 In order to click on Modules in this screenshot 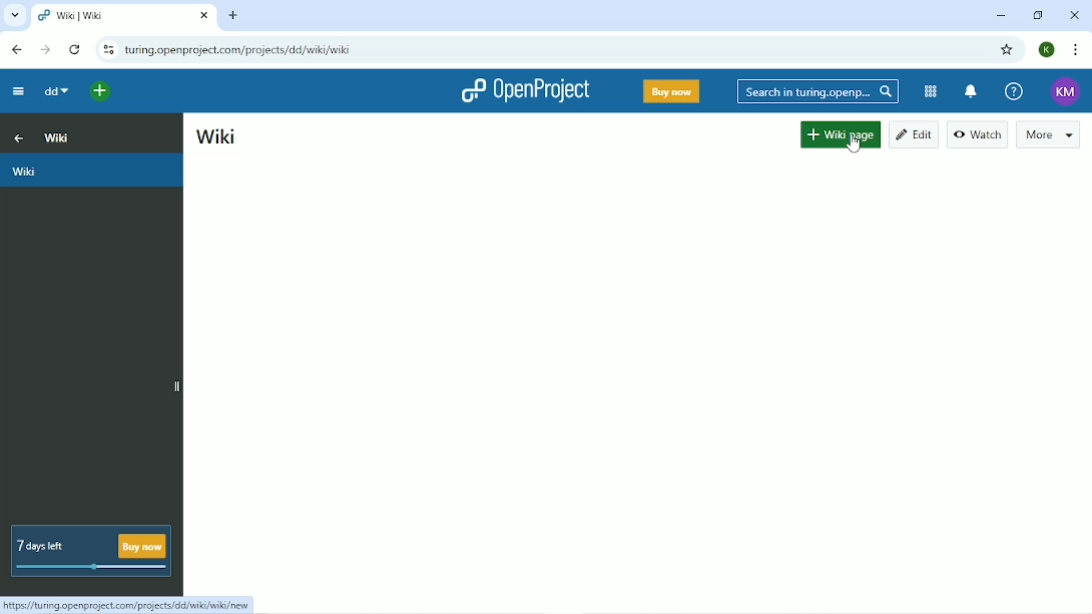, I will do `click(929, 92)`.